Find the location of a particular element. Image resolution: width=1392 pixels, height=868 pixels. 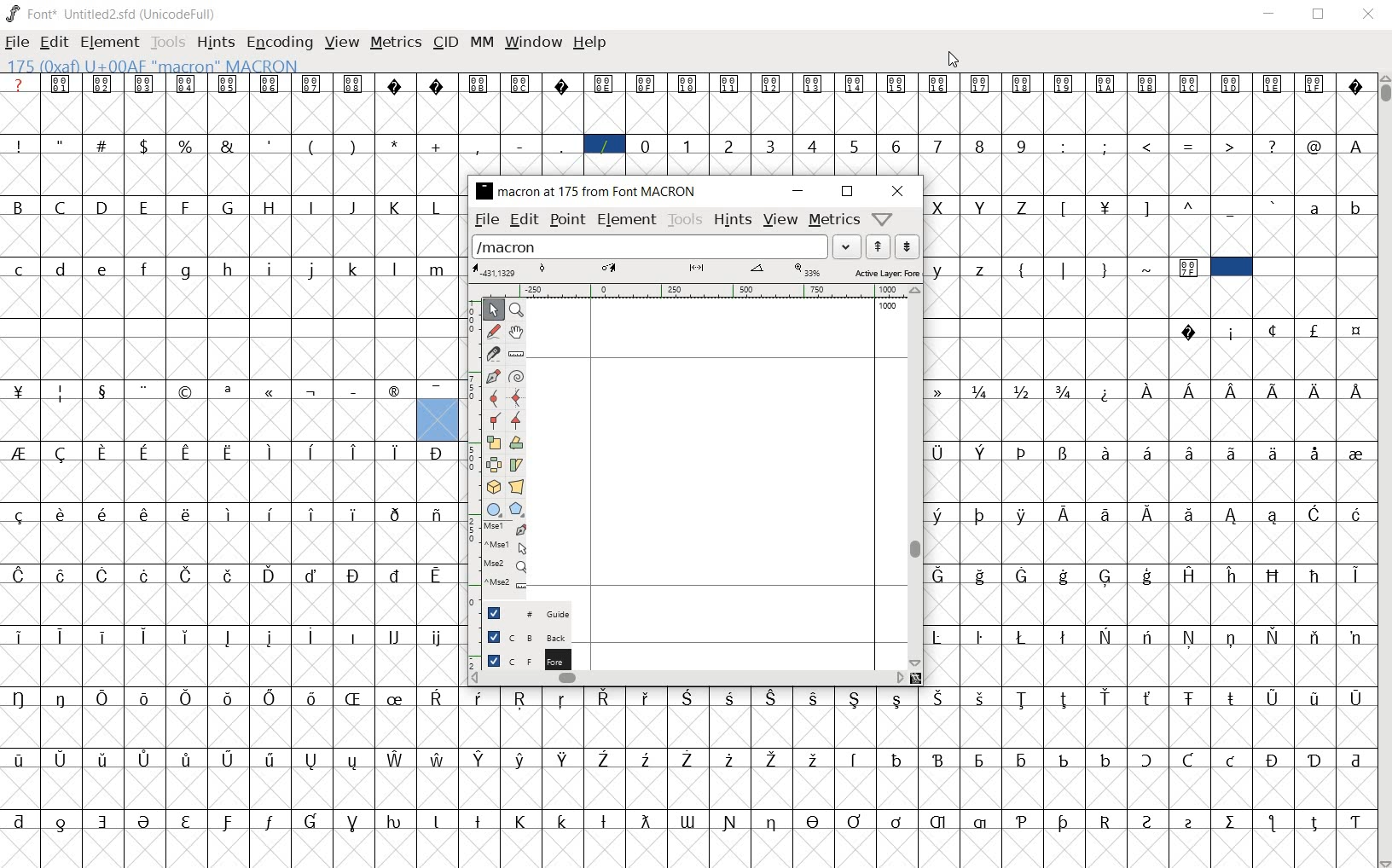

+ is located at coordinates (438, 145).